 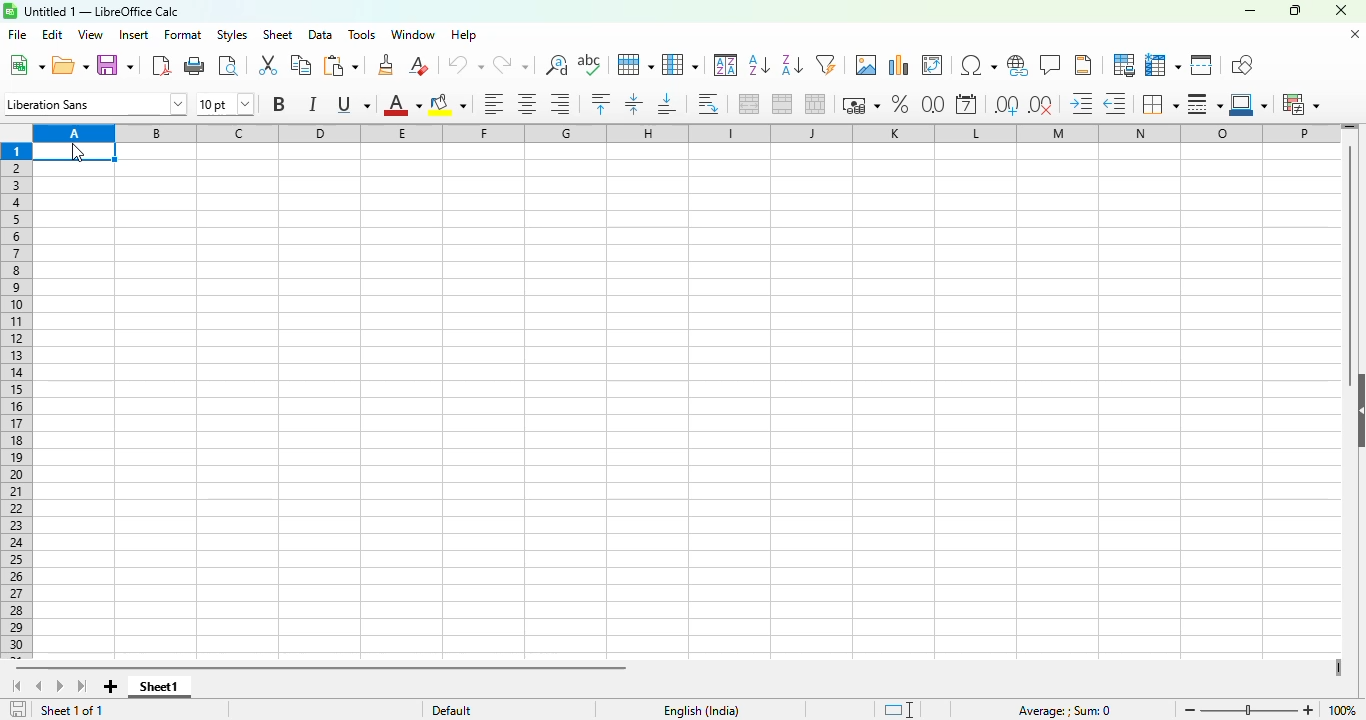 What do you see at coordinates (900, 104) in the screenshot?
I see `format as percent` at bounding box center [900, 104].